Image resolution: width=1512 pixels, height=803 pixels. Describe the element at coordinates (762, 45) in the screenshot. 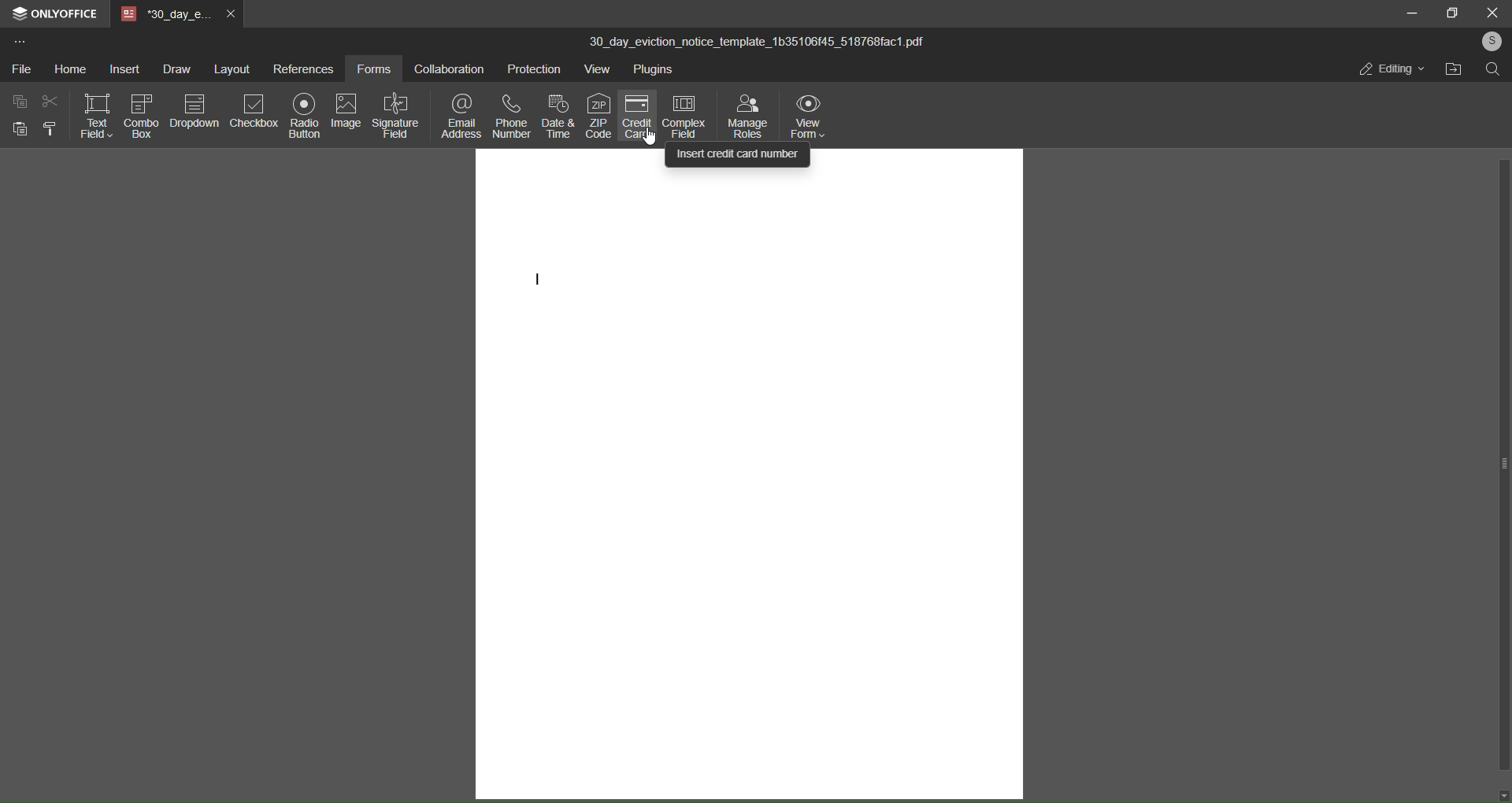

I see `30_day_eviction_notice_template_1b35106f45_518768fac1.pdf` at that location.